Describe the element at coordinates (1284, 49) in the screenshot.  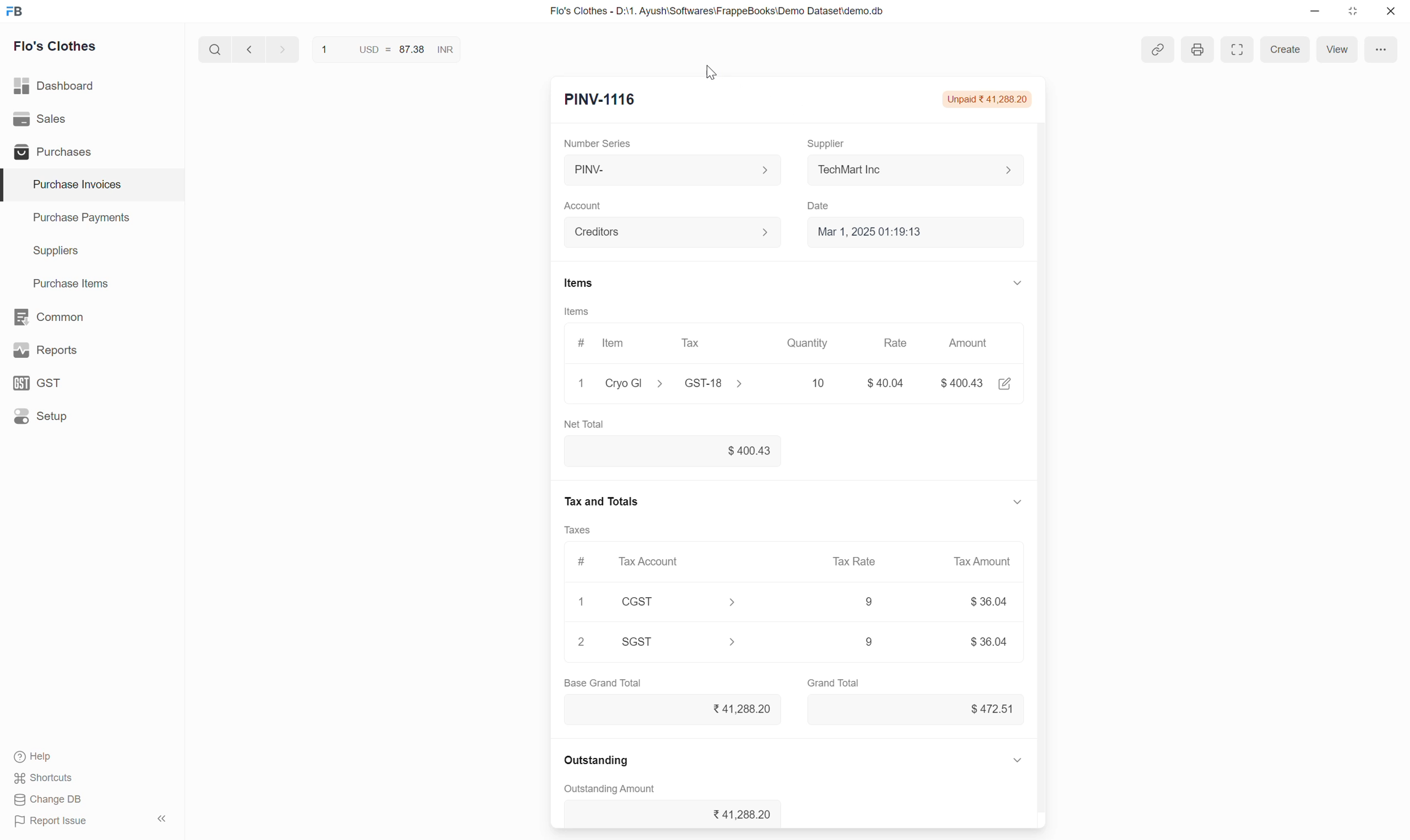
I see `Create` at that location.